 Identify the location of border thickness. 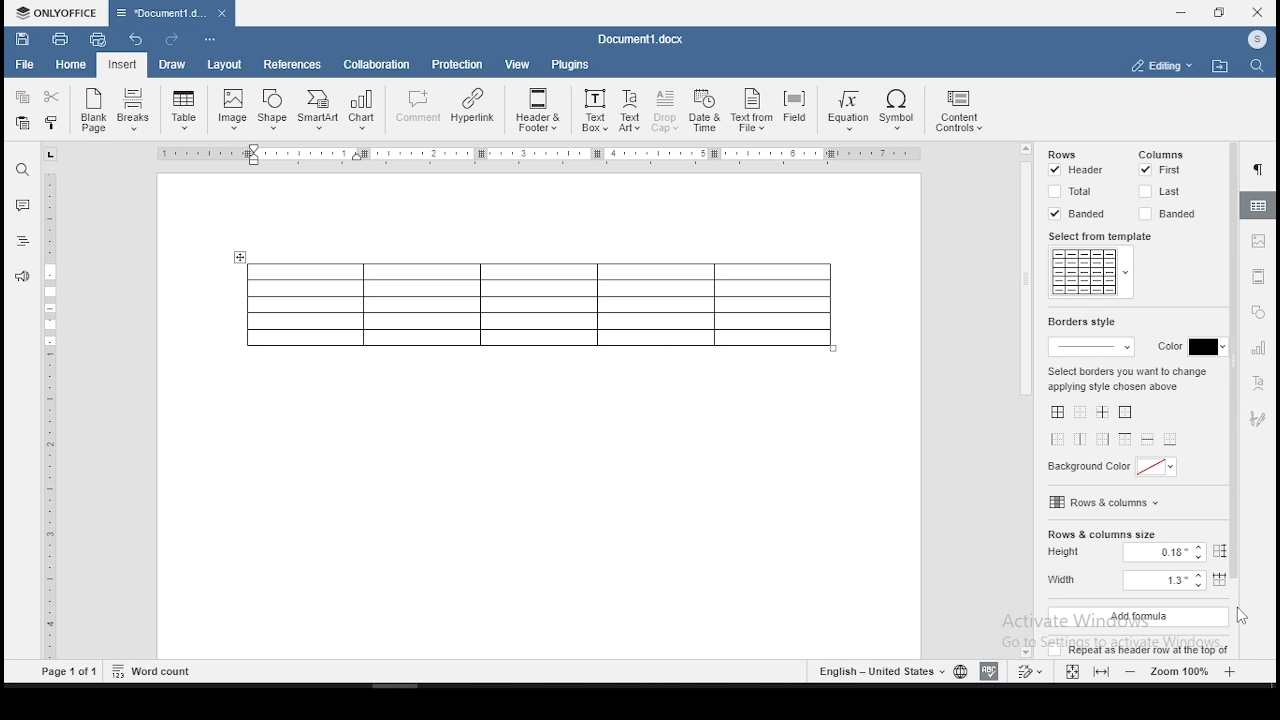
(1092, 348).